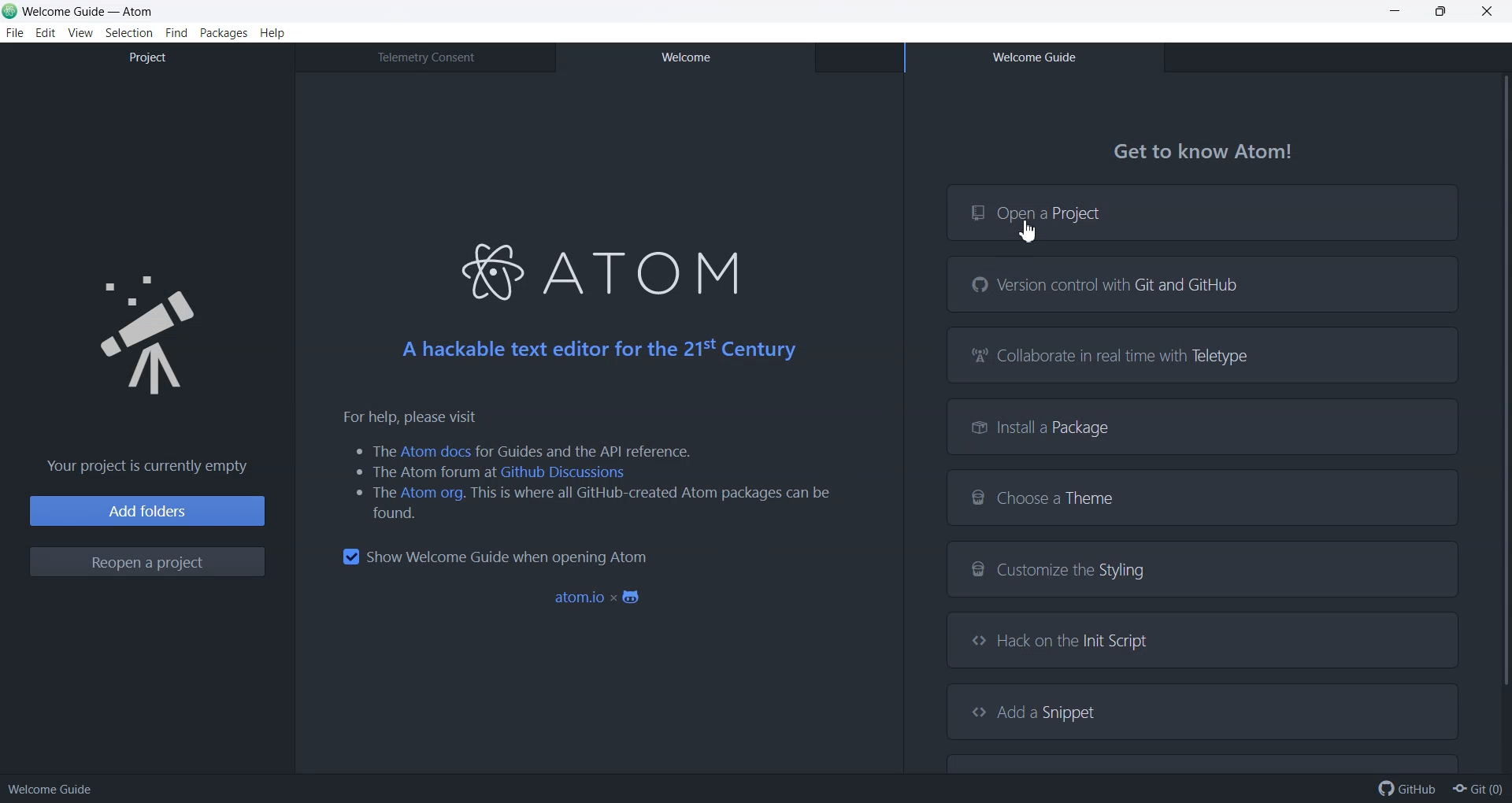 Image resolution: width=1512 pixels, height=803 pixels. What do you see at coordinates (1477, 789) in the screenshot?
I see `Git (0)` at bounding box center [1477, 789].